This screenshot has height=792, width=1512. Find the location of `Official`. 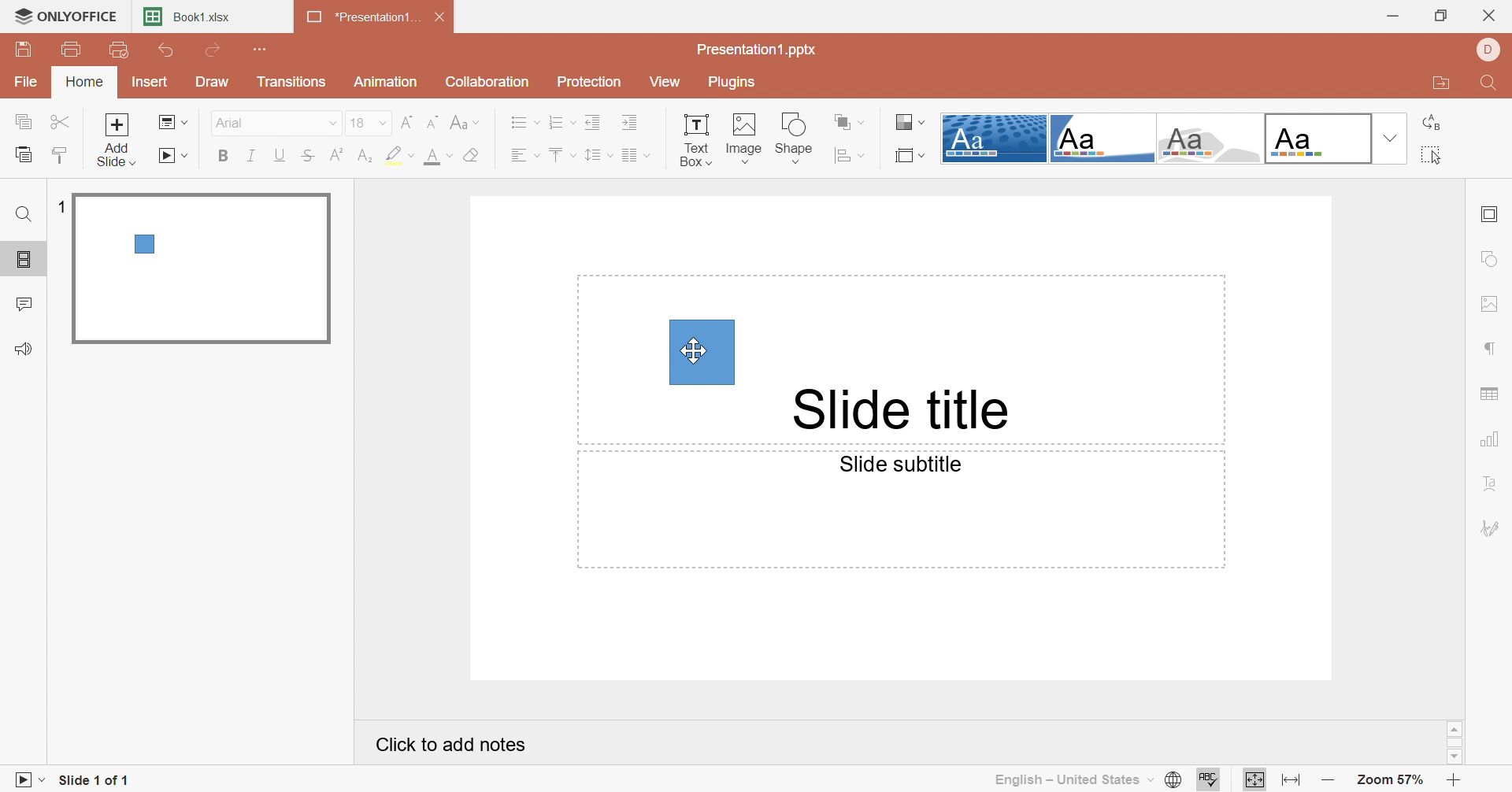

Official is located at coordinates (1319, 136).